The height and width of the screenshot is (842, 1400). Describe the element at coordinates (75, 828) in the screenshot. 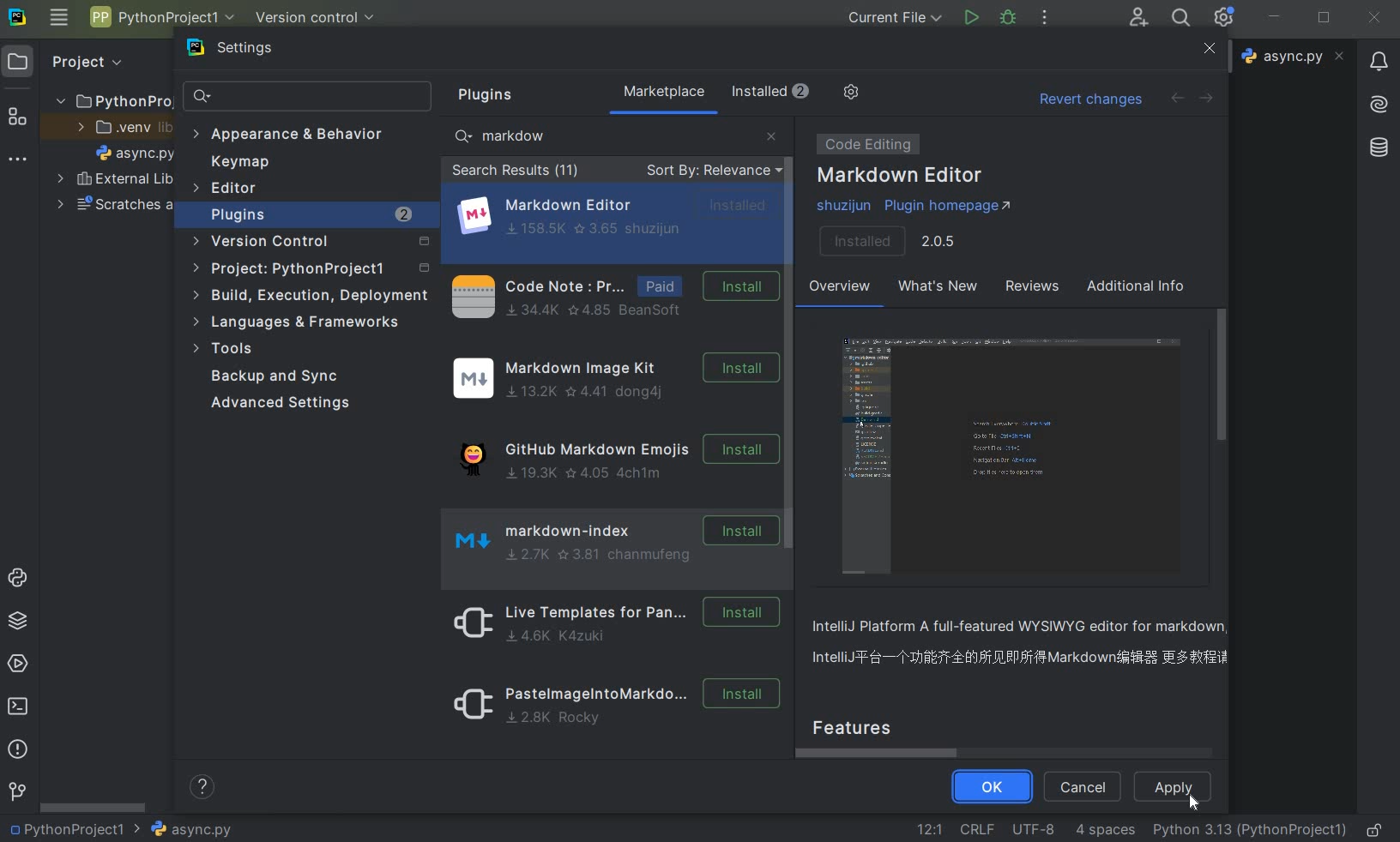

I see `Project name` at that location.